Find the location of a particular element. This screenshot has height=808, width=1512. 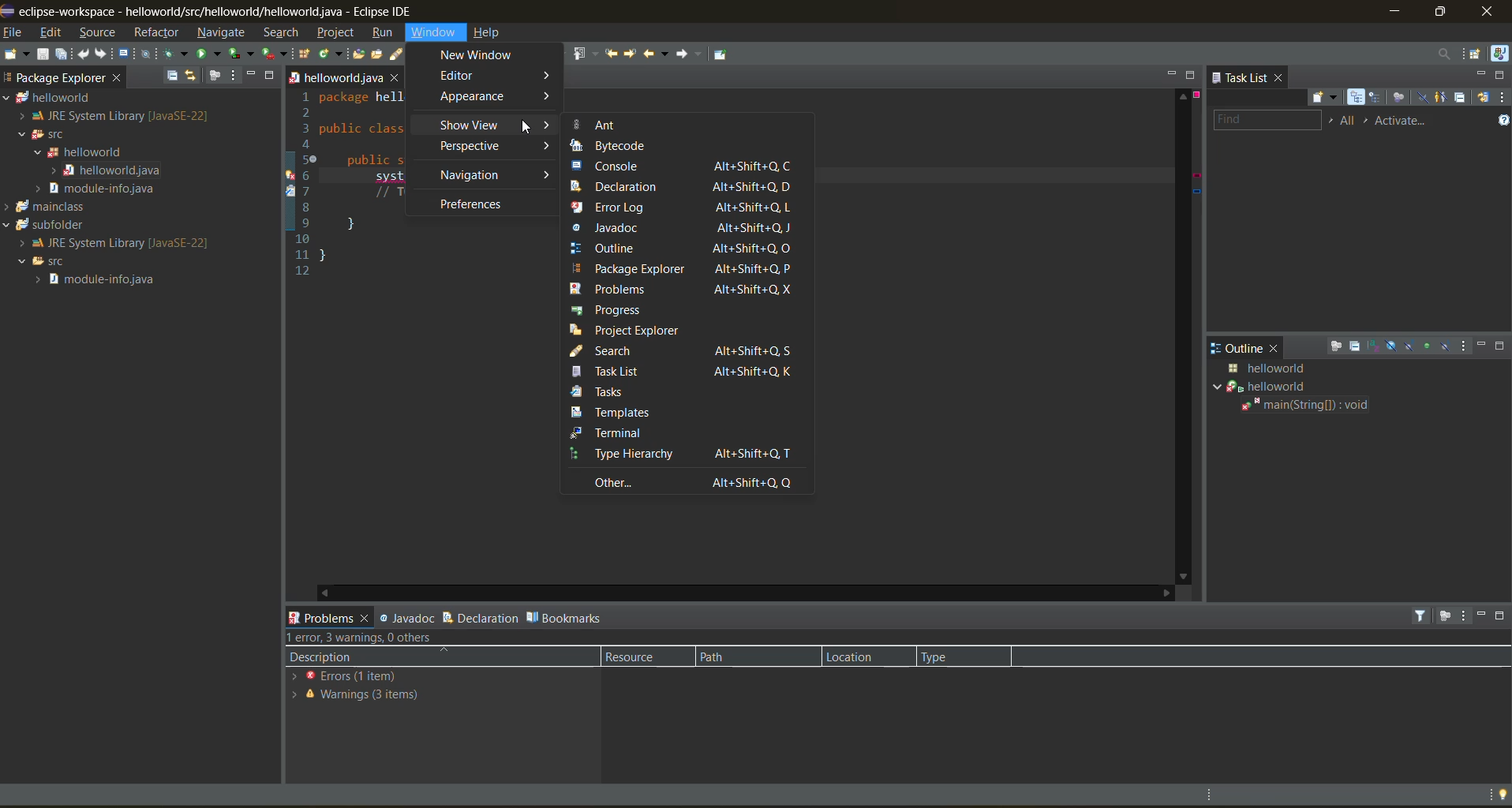

close is located at coordinates (1282, 78).